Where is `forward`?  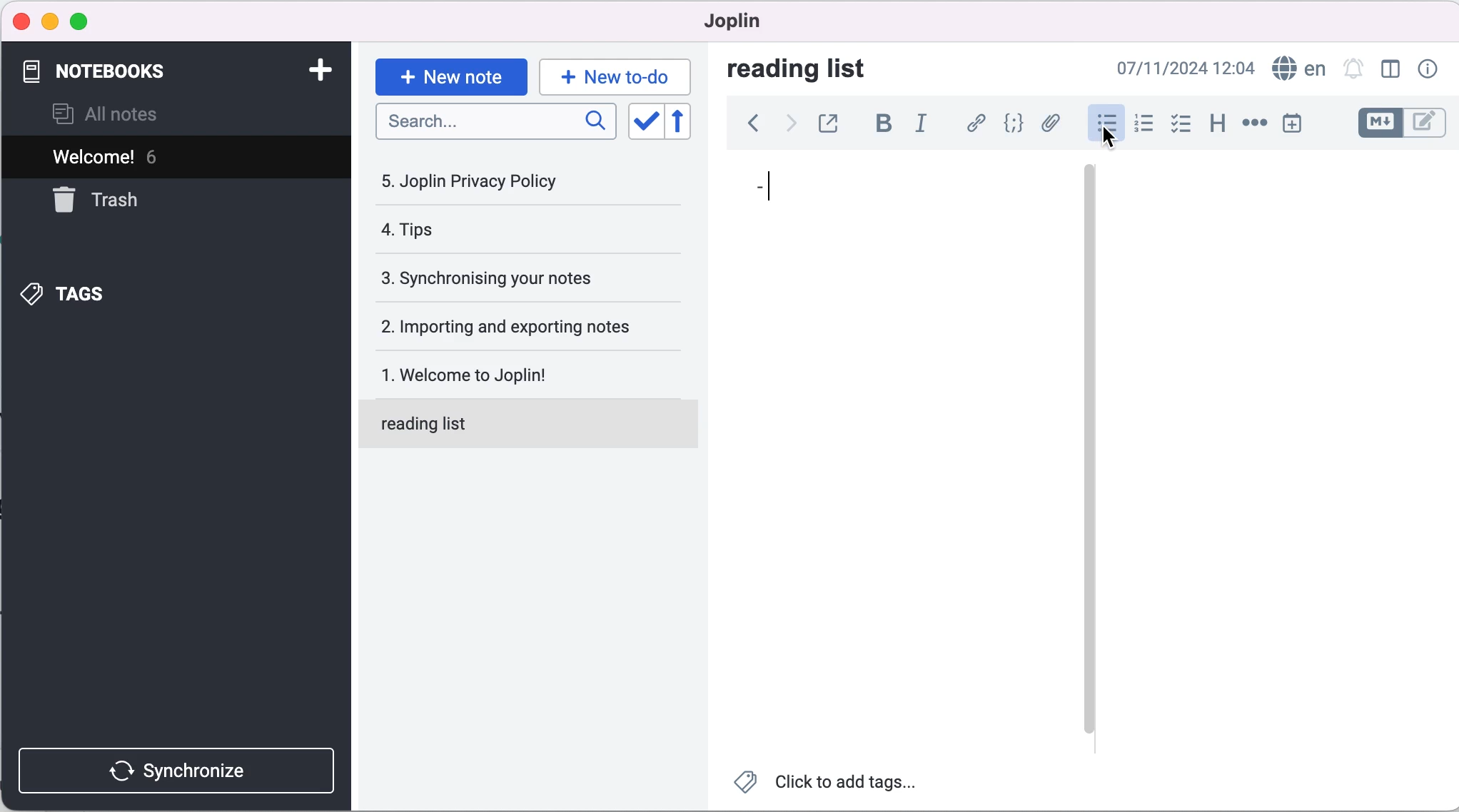 forward is located at coordinates (792, 123).